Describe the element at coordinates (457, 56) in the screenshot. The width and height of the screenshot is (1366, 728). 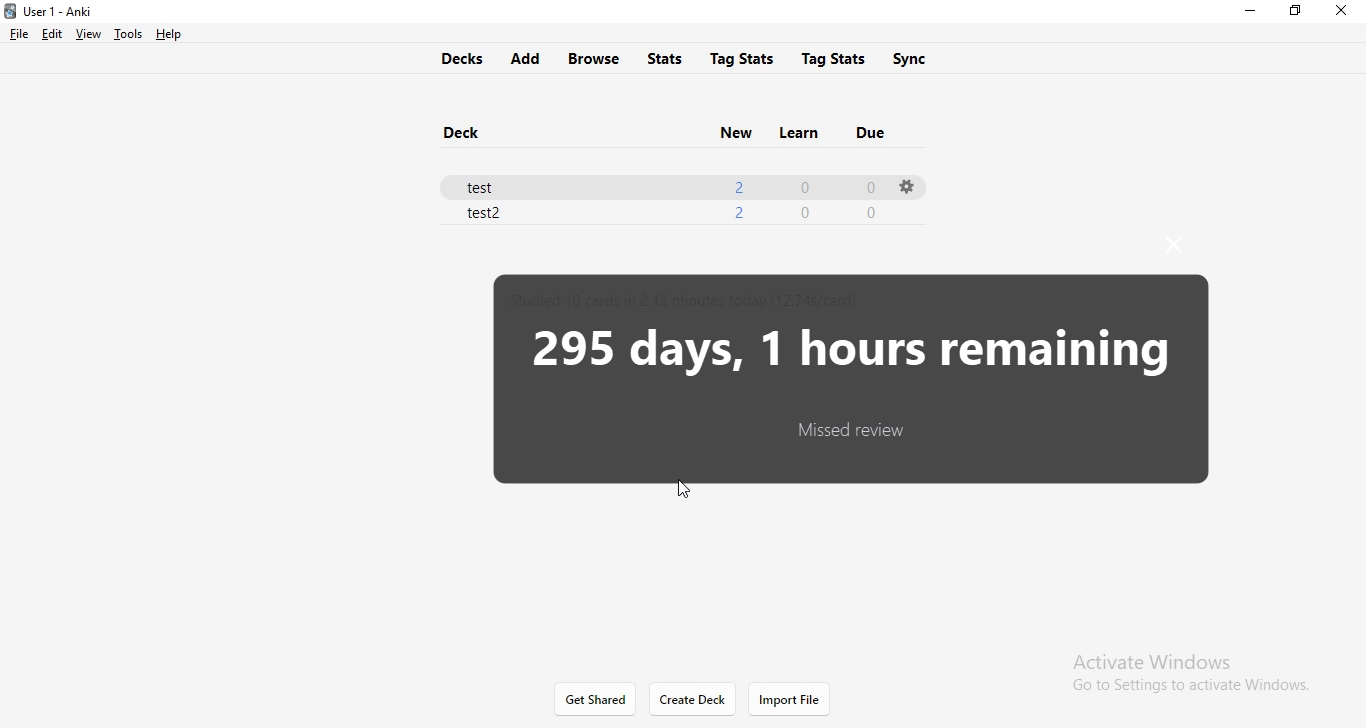
I see `decks` at that location.